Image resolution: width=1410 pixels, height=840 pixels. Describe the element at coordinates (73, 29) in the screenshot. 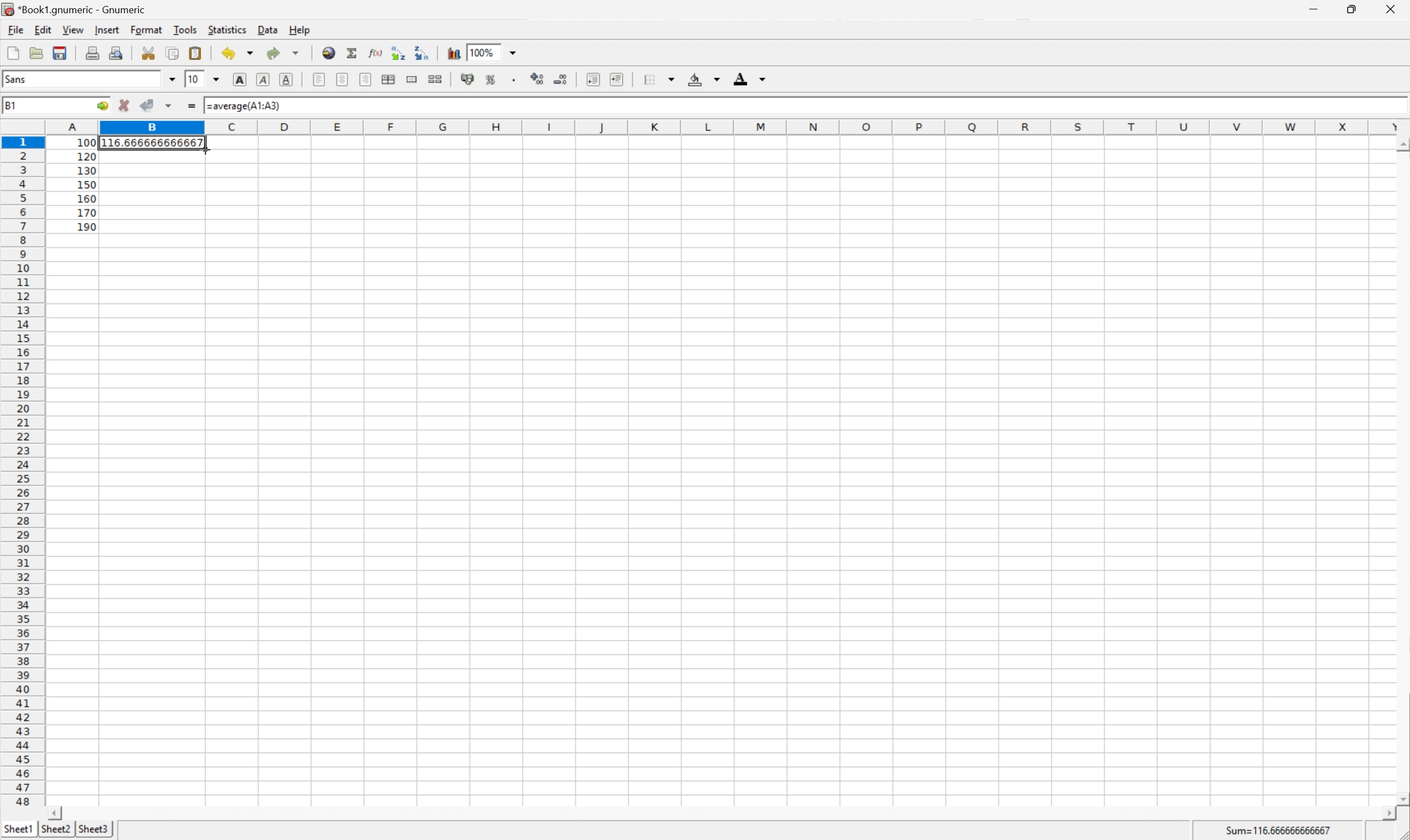

I see `View` at that location.